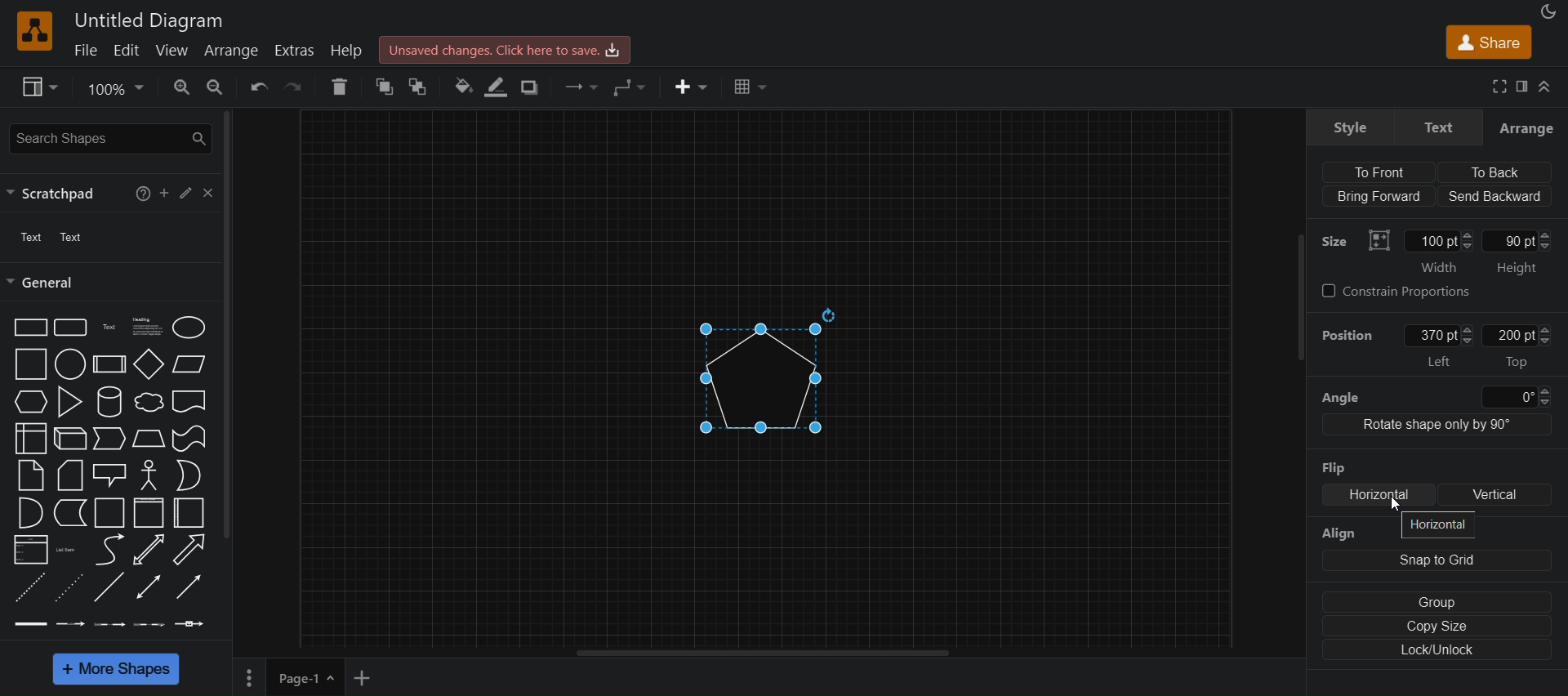  What do you see at coordinates (189, 402) in the screenshot?
I see `Document` at bounding box center [189, 402].